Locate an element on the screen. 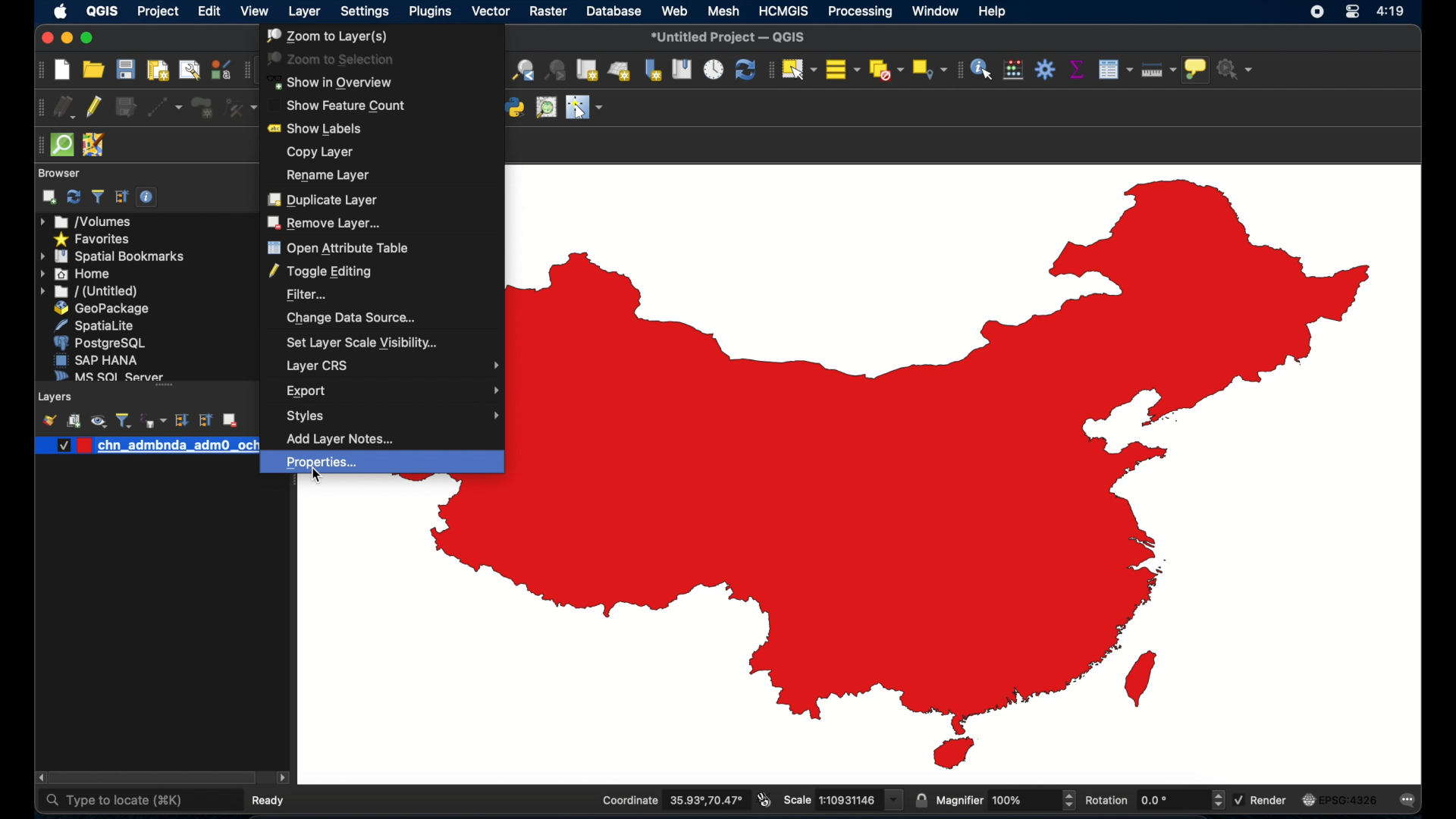 The width and height of the screenshot is (1456, 819). change data source is located at coordinates (350, 318).